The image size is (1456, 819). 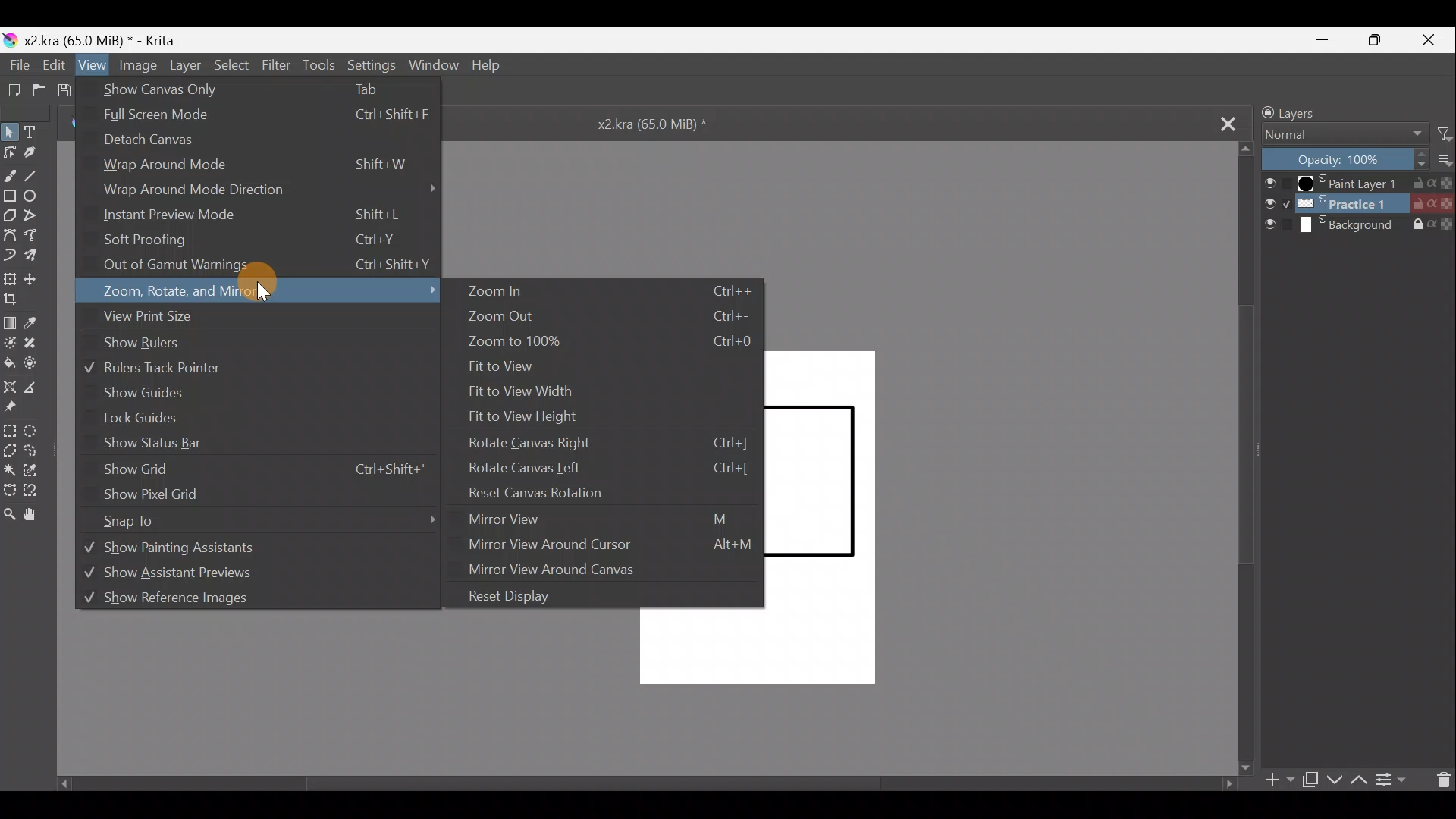 What do you see at coordinates (261, 241) in the screenshot?
I see `Soft proofing` at bounding box center [261, 241].